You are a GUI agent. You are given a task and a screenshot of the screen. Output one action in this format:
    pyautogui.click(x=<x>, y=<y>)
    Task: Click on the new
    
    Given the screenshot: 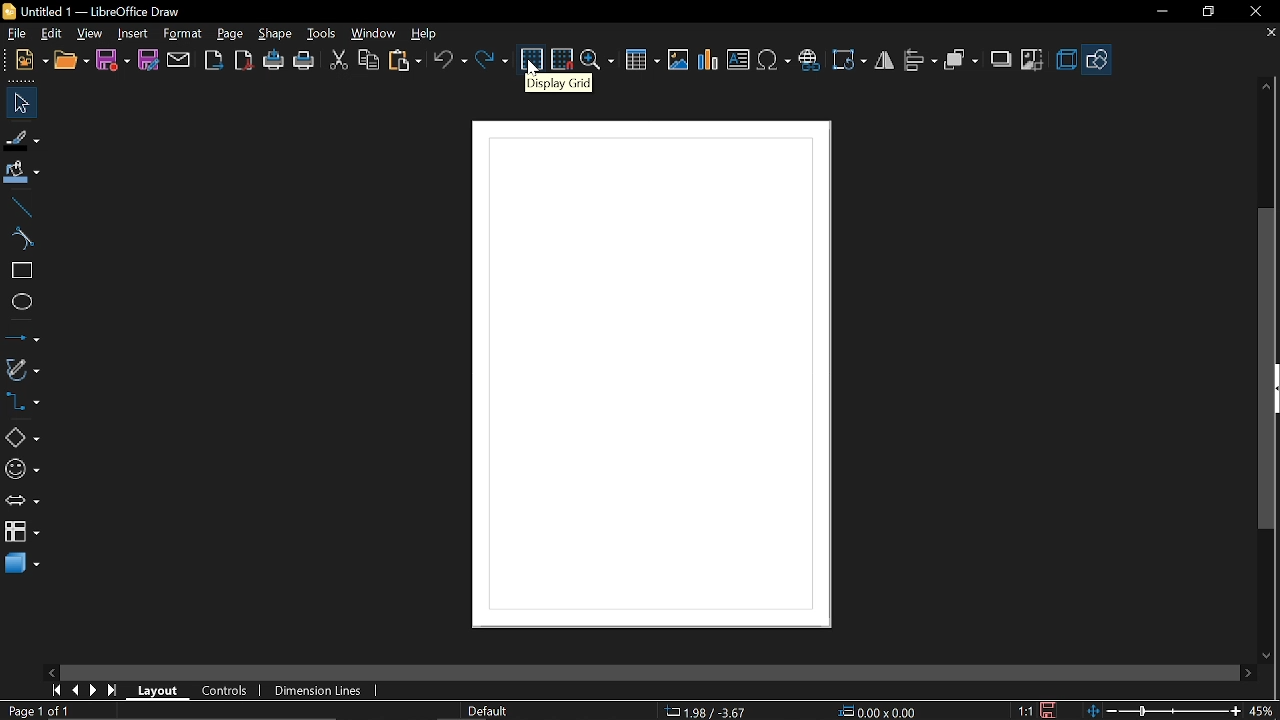 What is the action you would take?
    pyautogui.click(x=33, y=61)
    